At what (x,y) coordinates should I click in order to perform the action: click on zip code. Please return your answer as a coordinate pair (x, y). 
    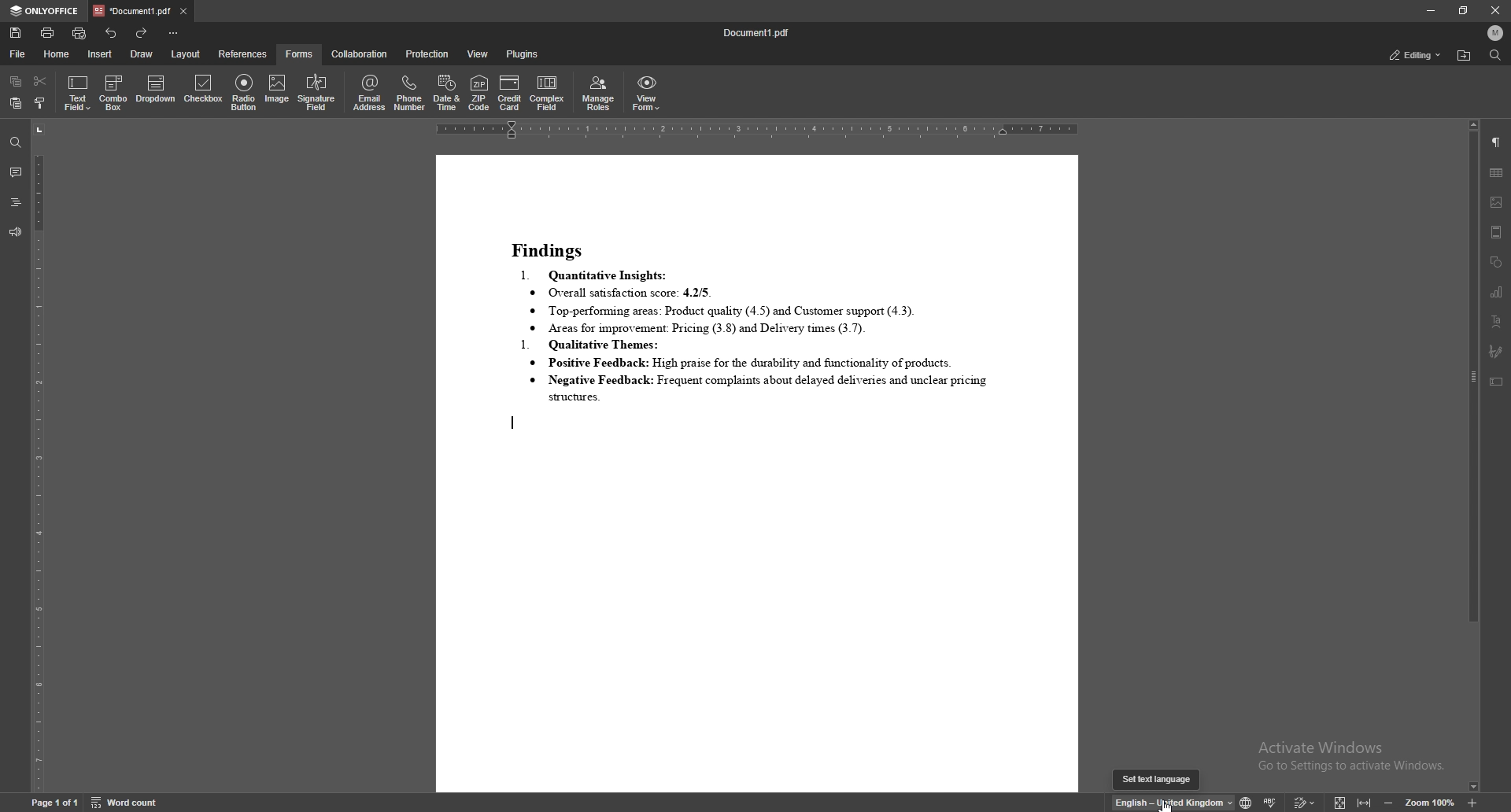
    Looking at the image, I should click on (480, 92).